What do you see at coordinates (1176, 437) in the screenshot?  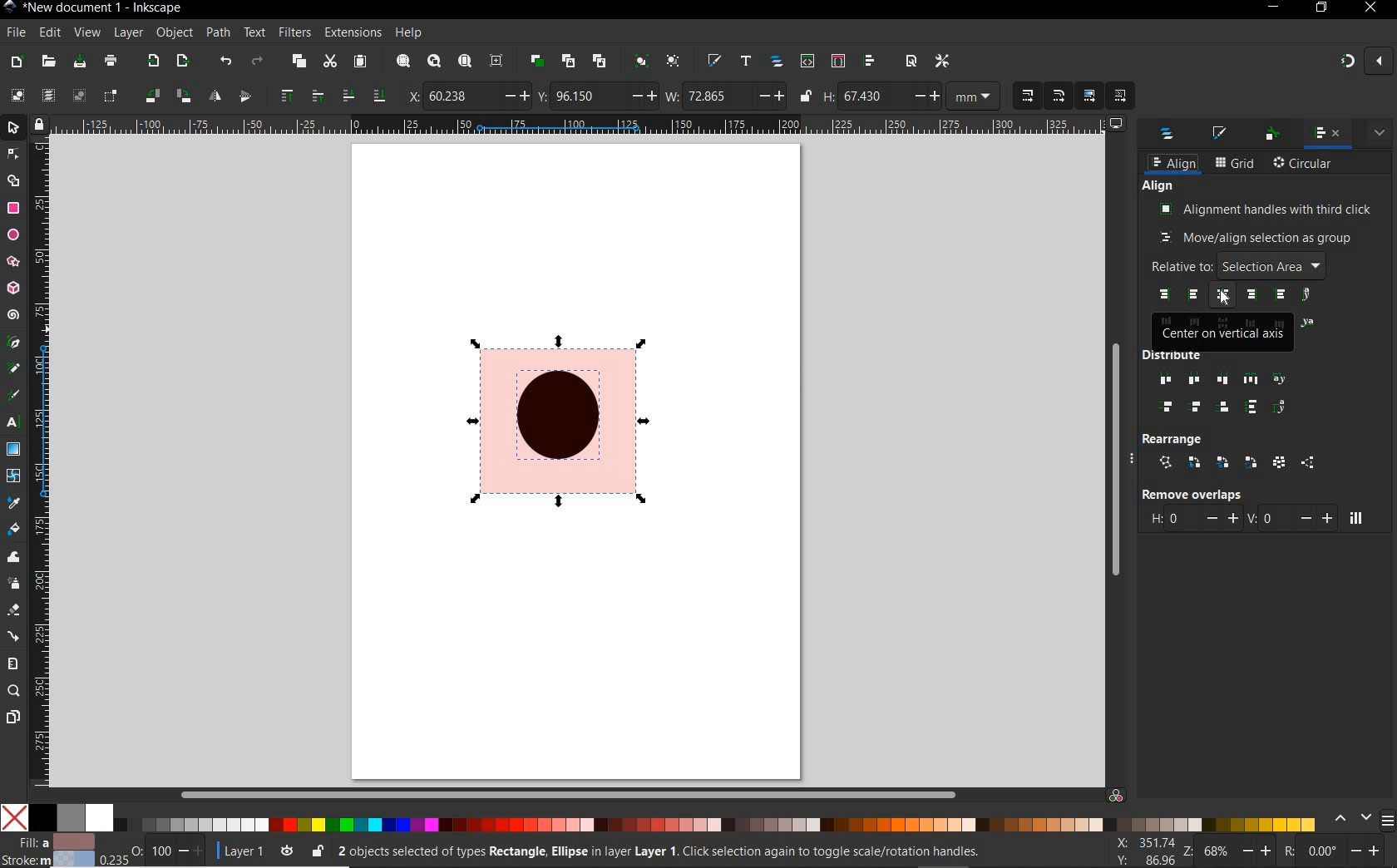 I see `rearrange` at bounding box center [1176, 437].